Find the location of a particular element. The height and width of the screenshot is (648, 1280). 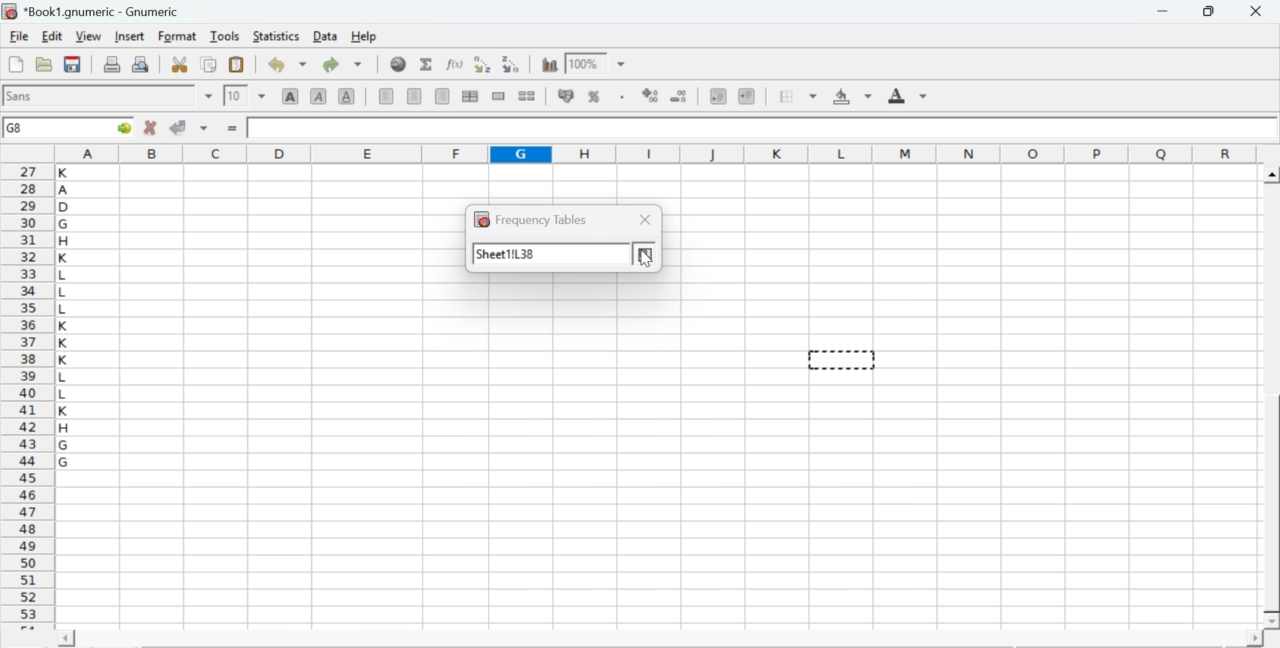

Sort the selected region in ascending order based on the first column selected is located at coordinates (485, 64).